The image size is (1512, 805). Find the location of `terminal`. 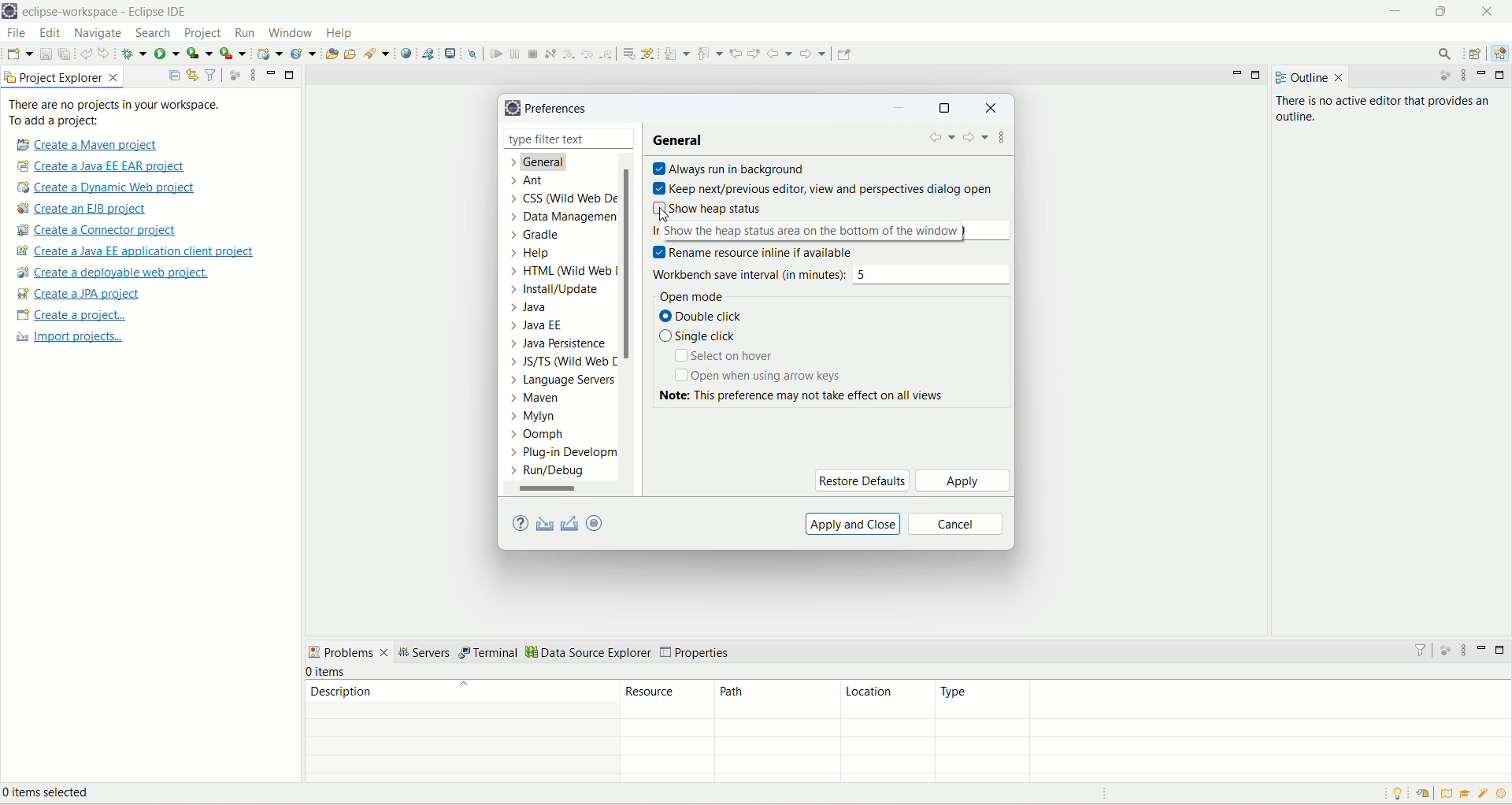

terminal is located at coordinates (490, 654).